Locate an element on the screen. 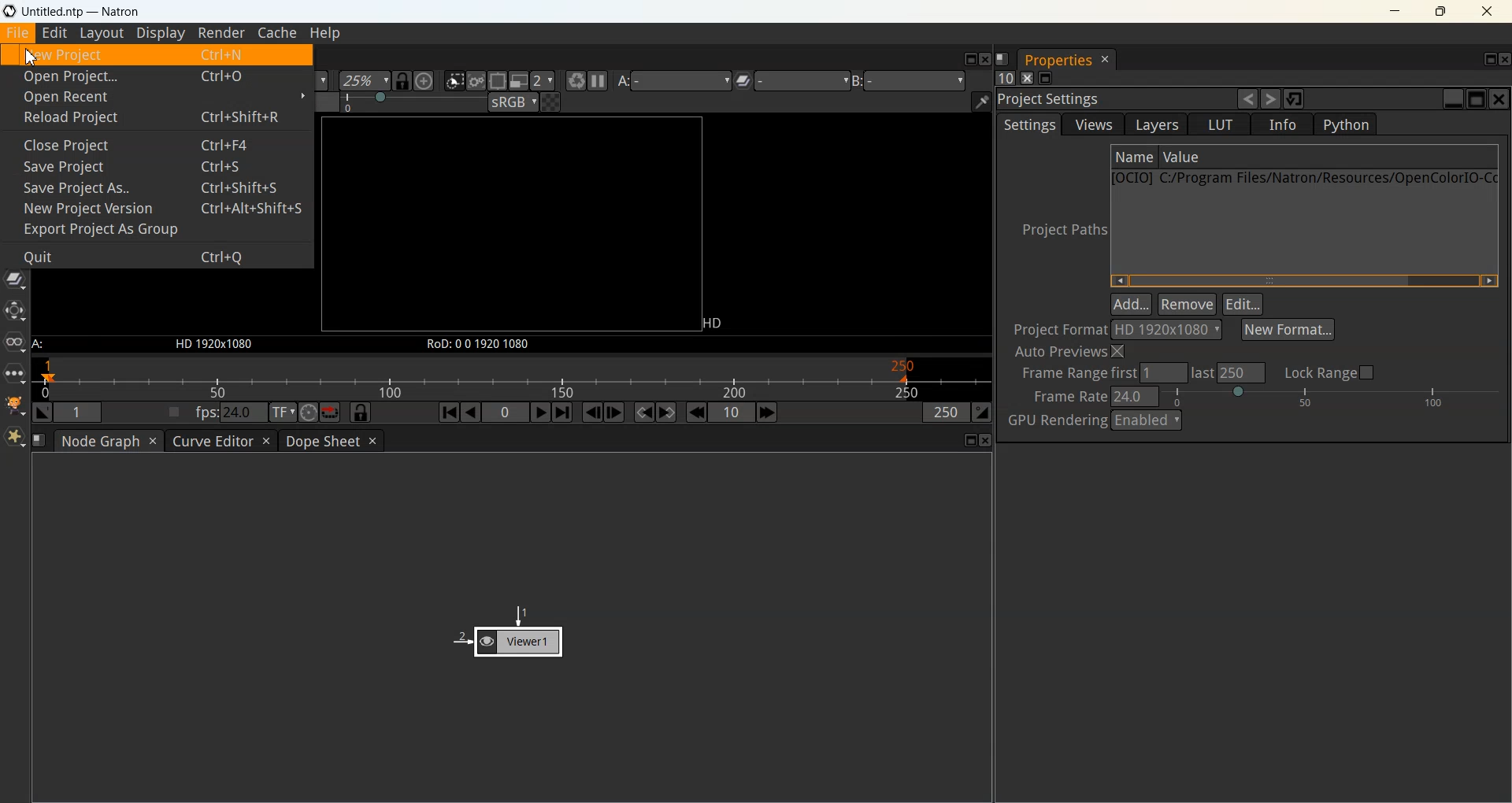  Properties window is located at coordinates (1056, 61).